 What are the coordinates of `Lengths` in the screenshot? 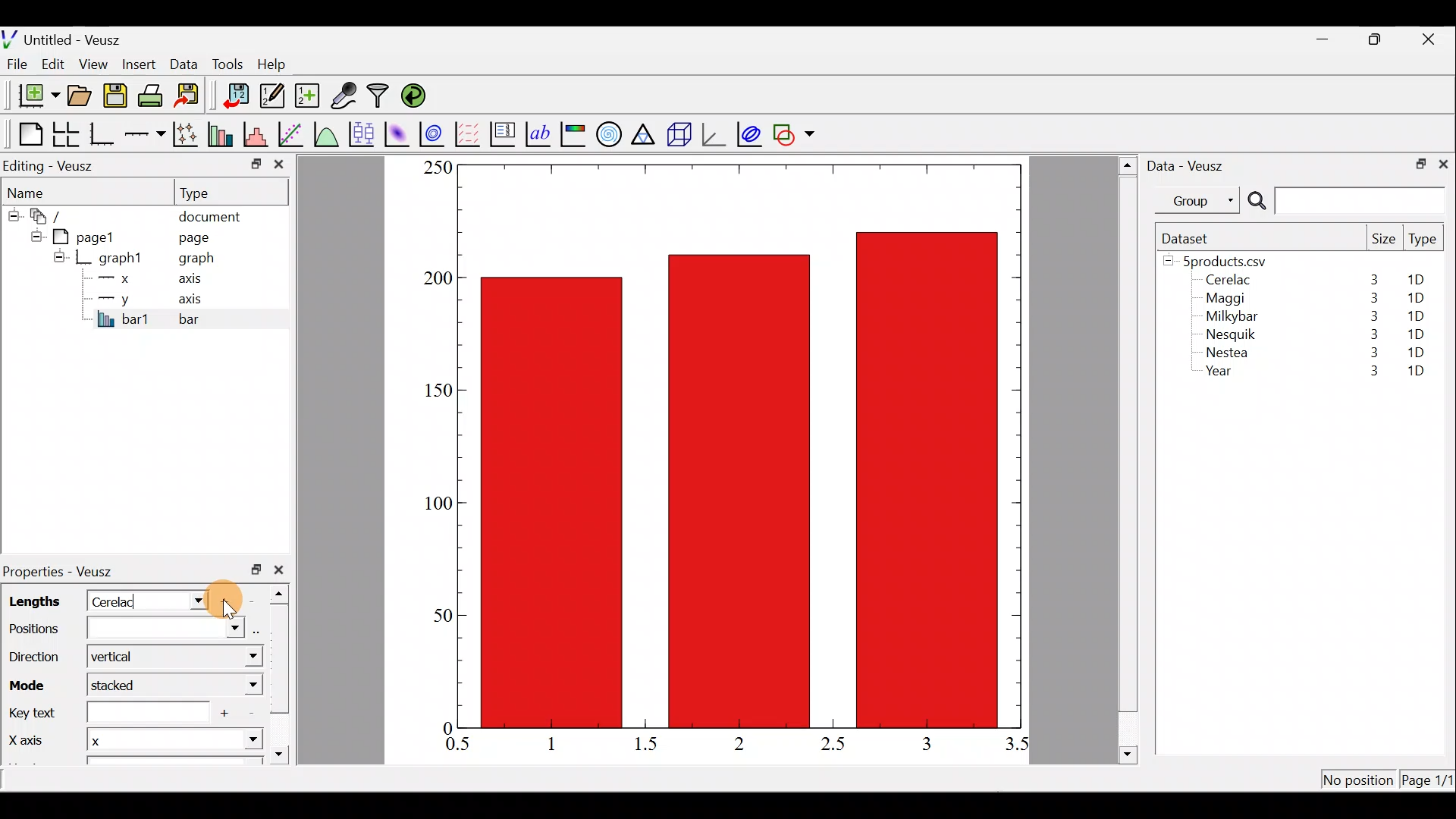 It's located at (32, 601).